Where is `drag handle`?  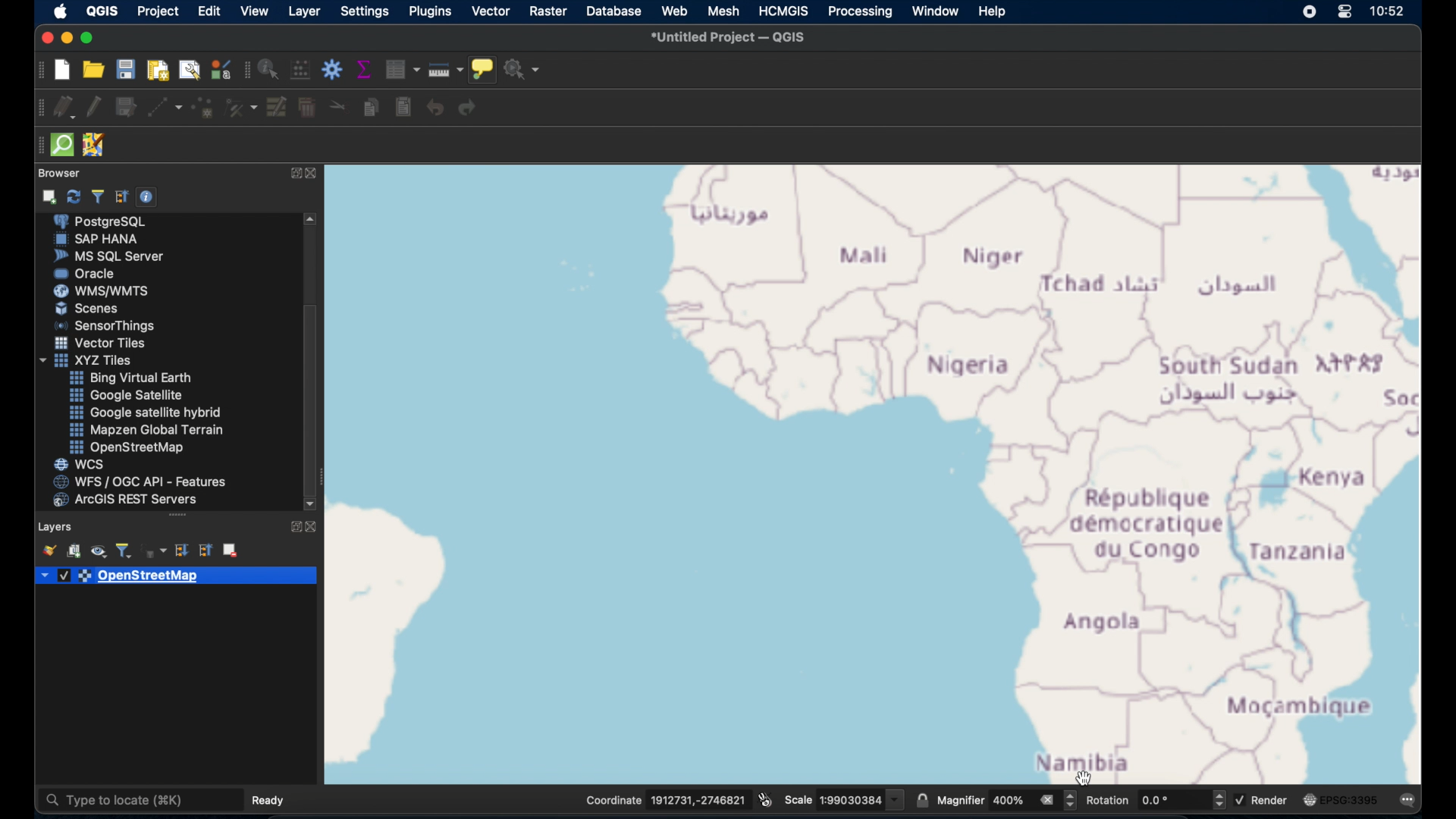
drag handle is located at coordinates (176, 516).